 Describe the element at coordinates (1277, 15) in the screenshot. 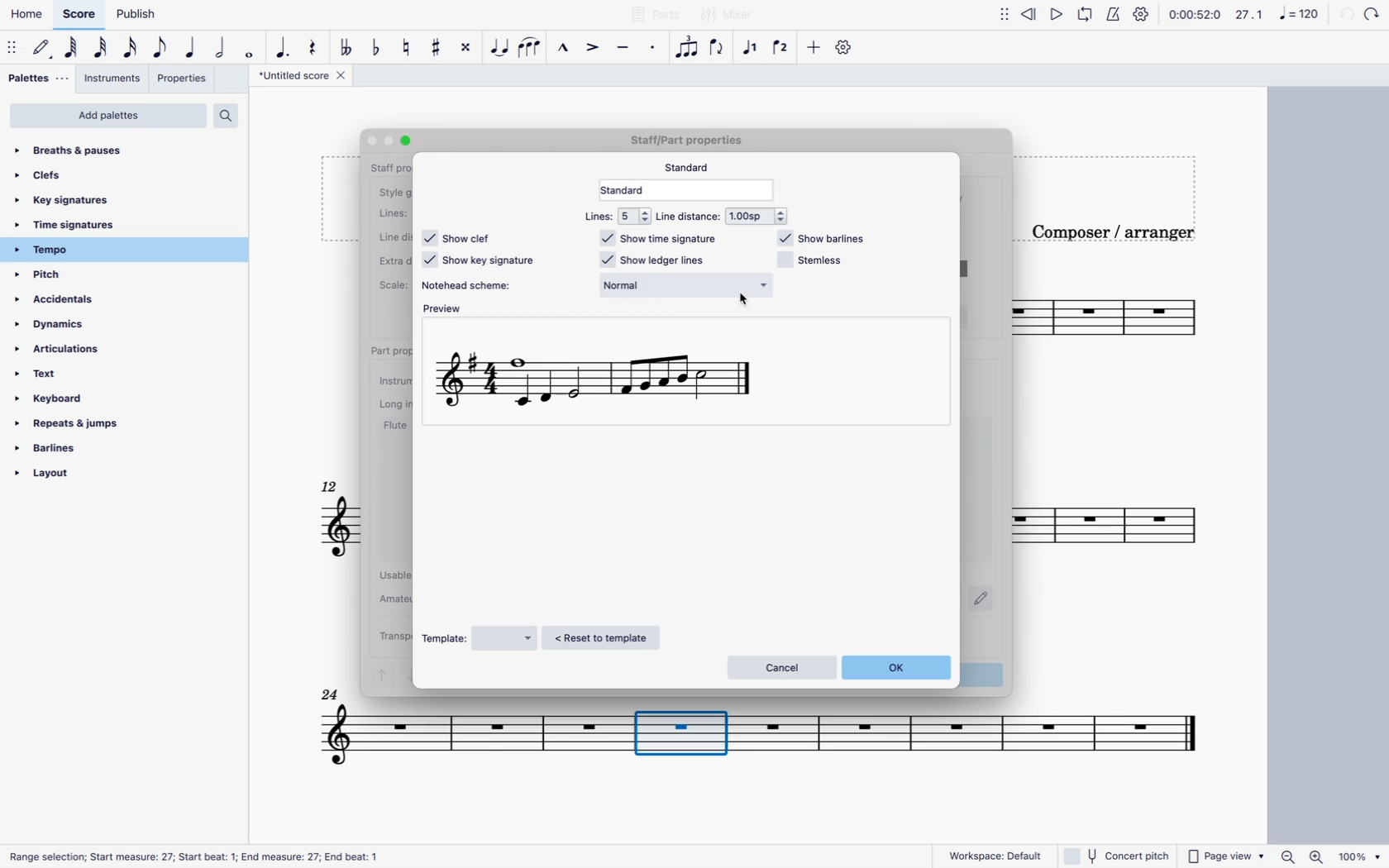

I see `scale` at that location.